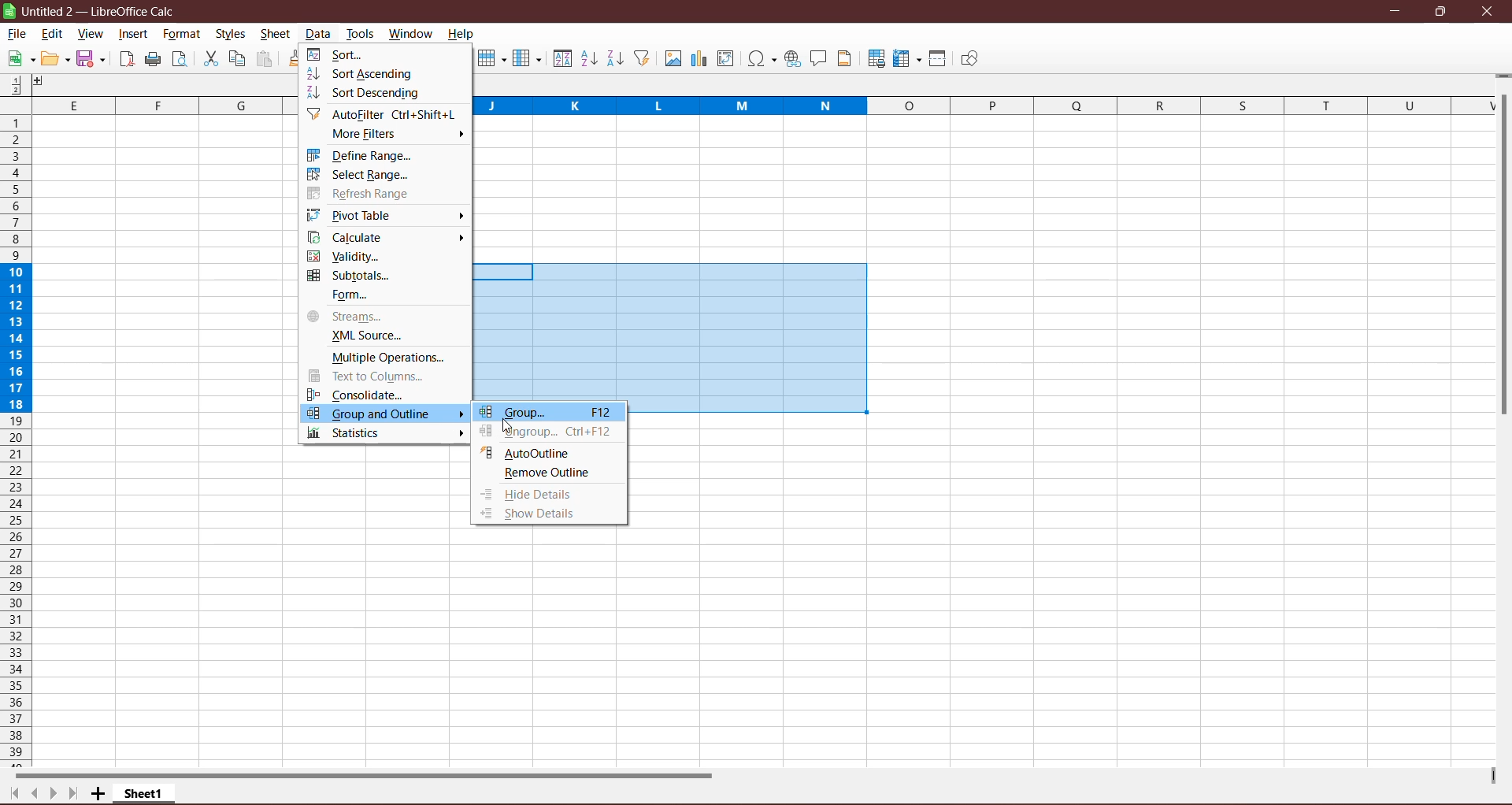 This screenshot has width=1512, height=805. What do you see at coordinates (360, 175) in the screenshot?
I see `Select Range` at bounding box center [360, 175].